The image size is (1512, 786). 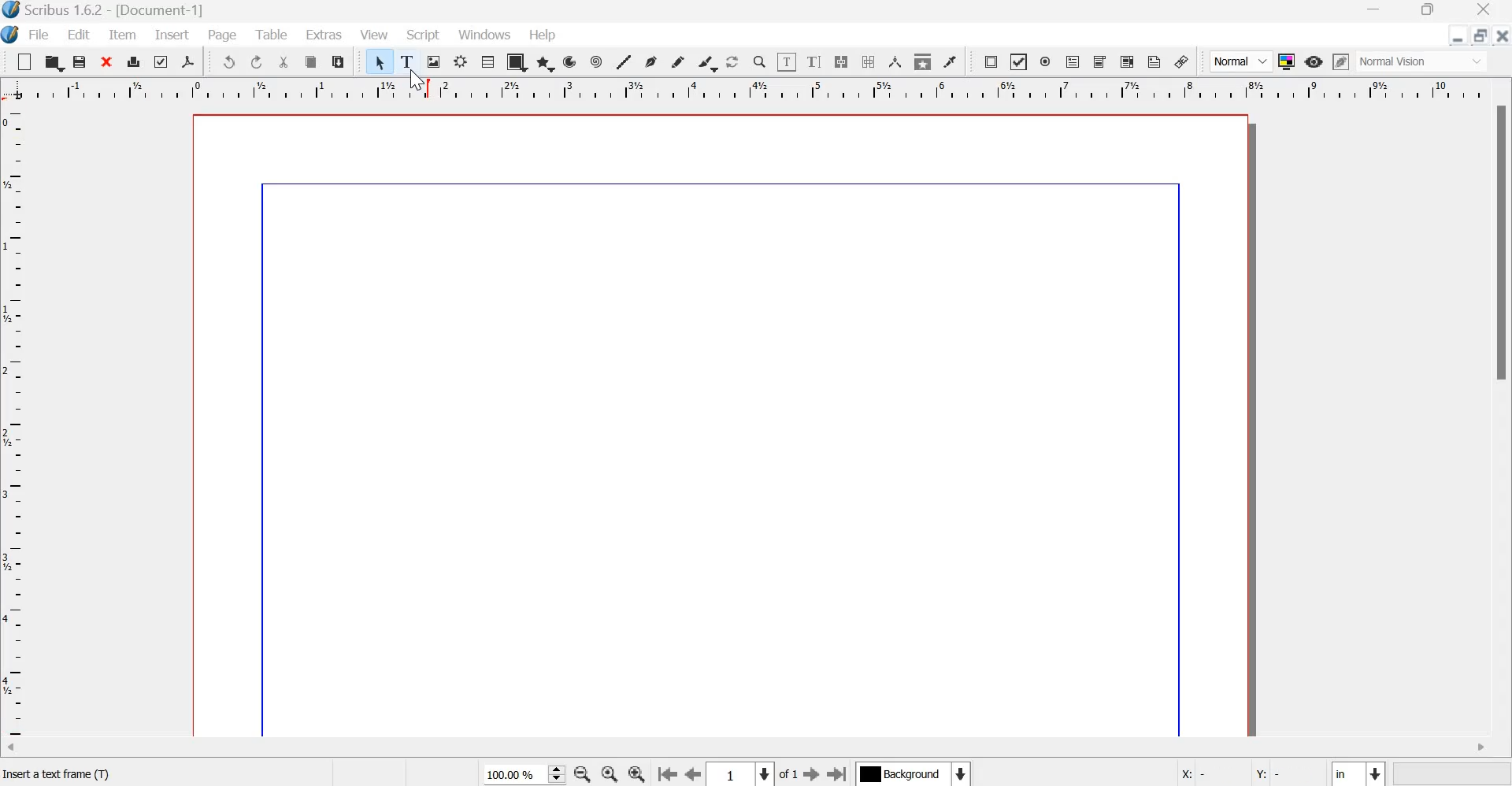 What do you see at coordinates (650, 61) in the screenshot?
I see `Bezier curve` at bounding box center [650, 61].